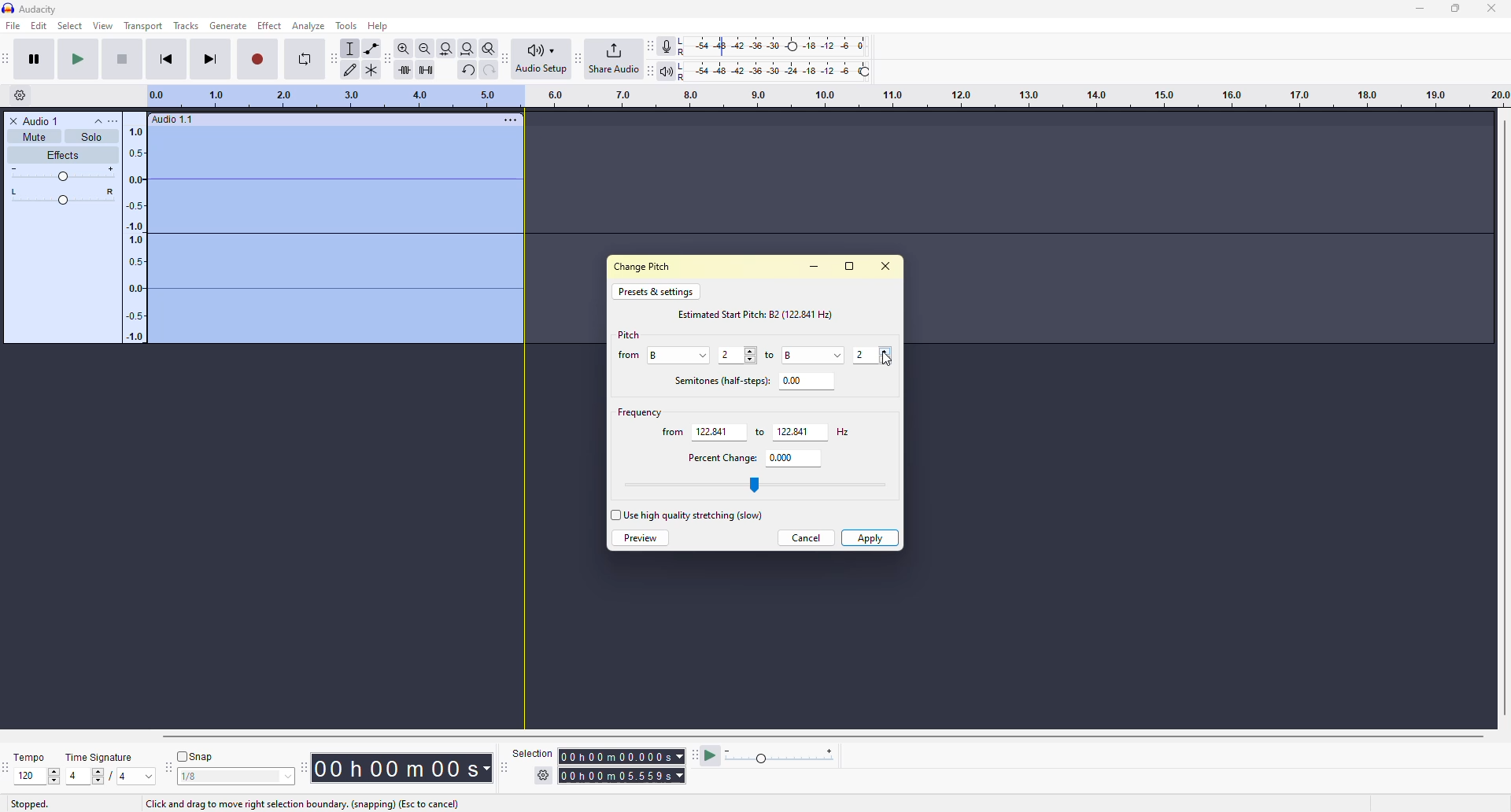 Image resolution: width=1511 pixels, height=812 pixels. Describe the element at coordinates (718, 456) in the screenshot. I see `percent` at that location.